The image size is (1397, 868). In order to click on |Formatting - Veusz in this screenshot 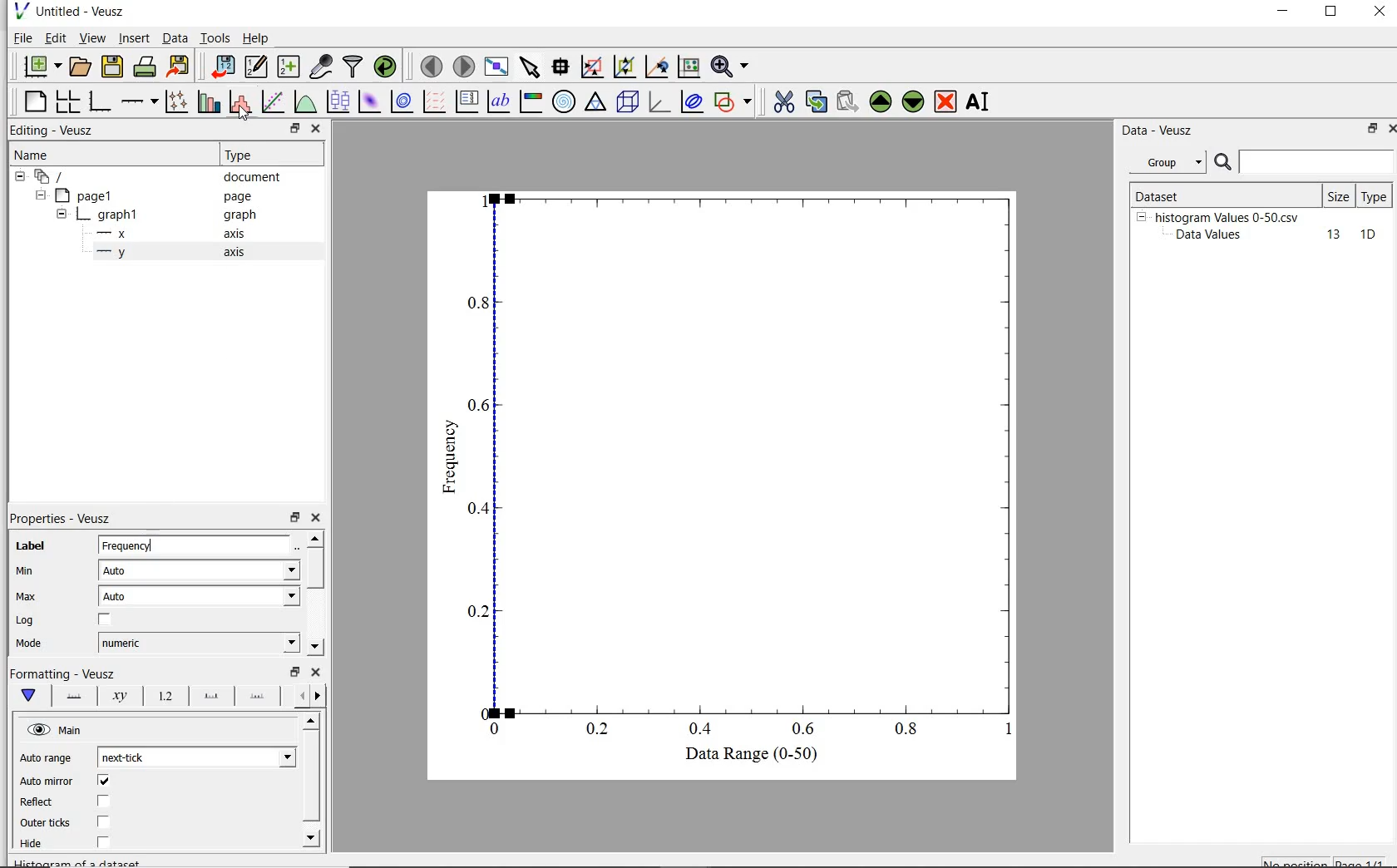, I will do `click(60, 672)`.